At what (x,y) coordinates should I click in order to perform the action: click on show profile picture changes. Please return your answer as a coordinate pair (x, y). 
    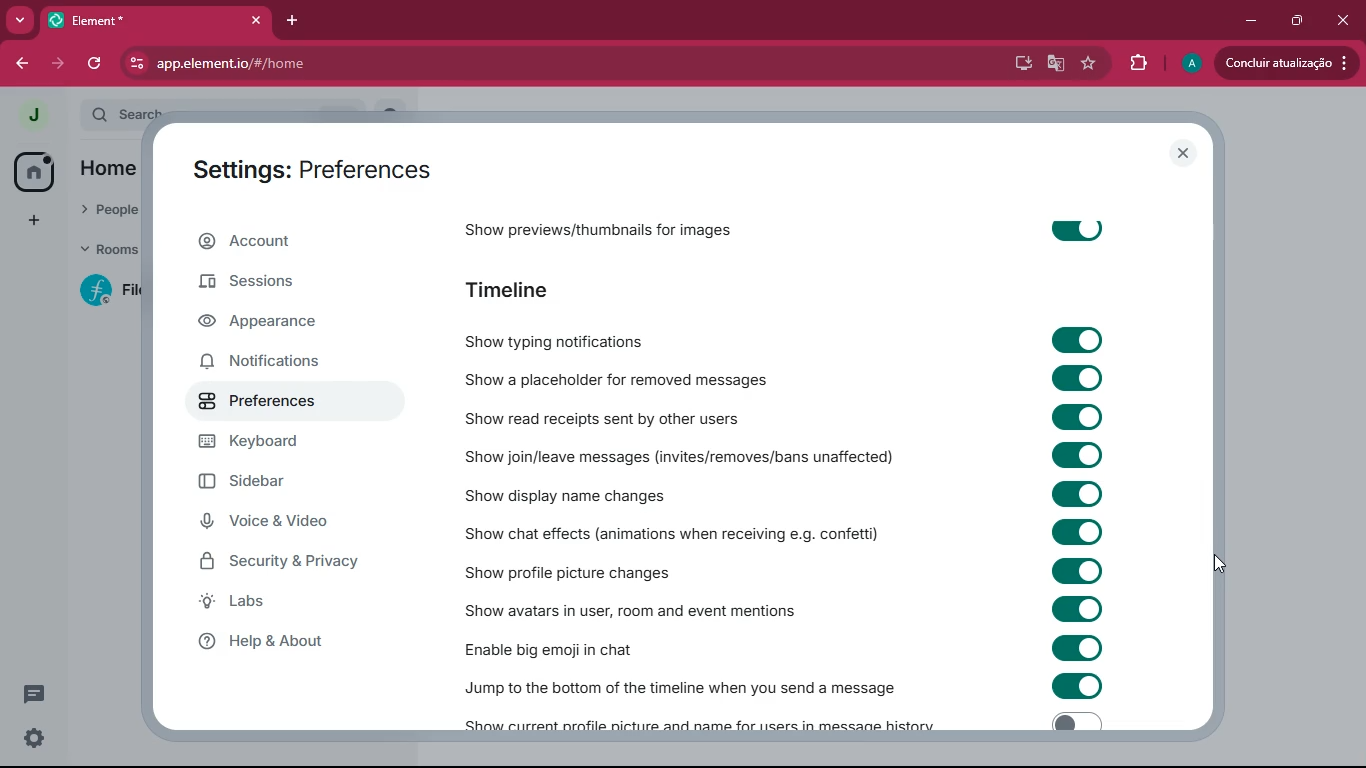
    Looking at the image, I should click on (613, 569).